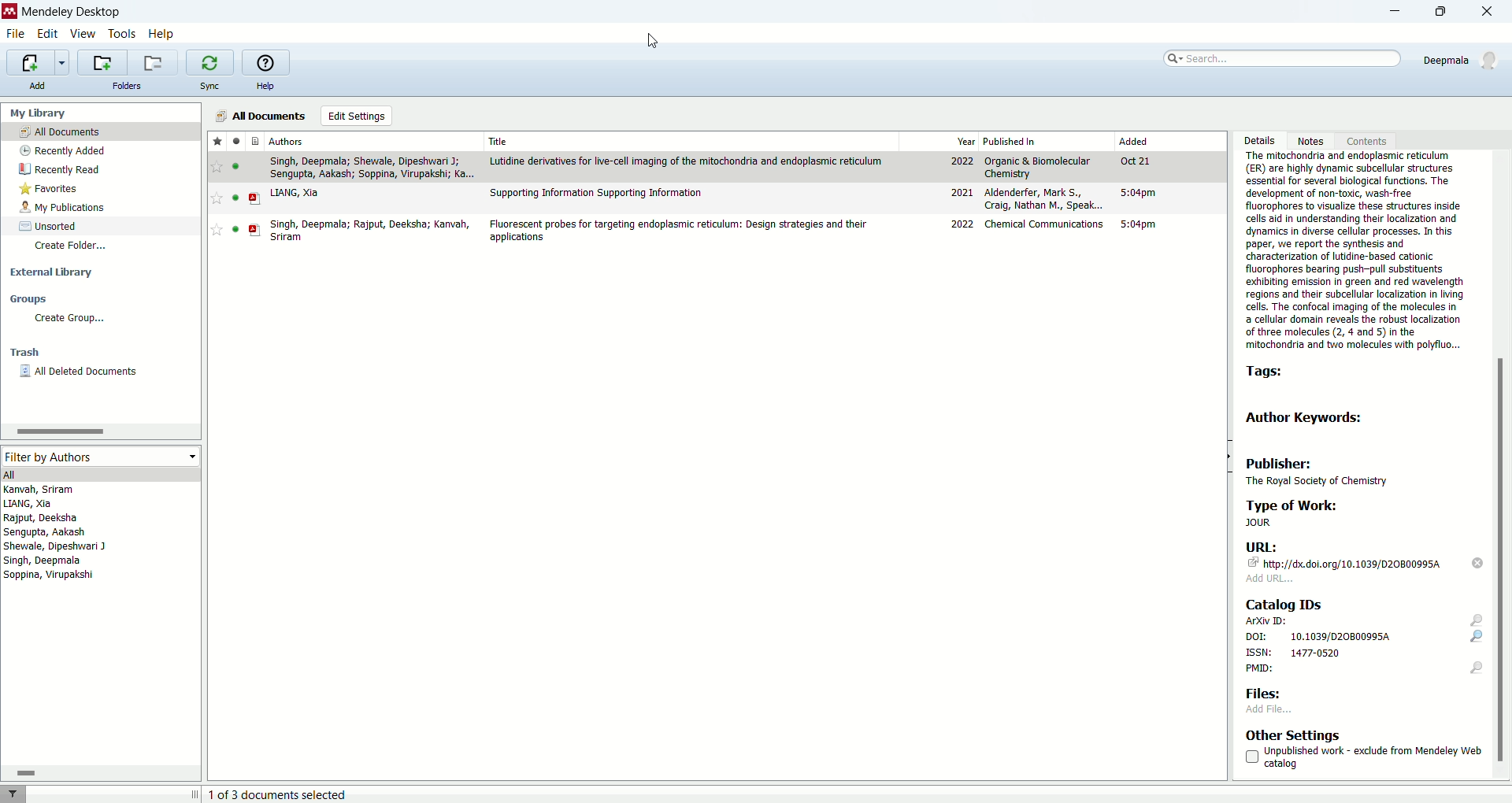 This screenshot has width=1512, height=803. I want to click on add, so click(35, 85).